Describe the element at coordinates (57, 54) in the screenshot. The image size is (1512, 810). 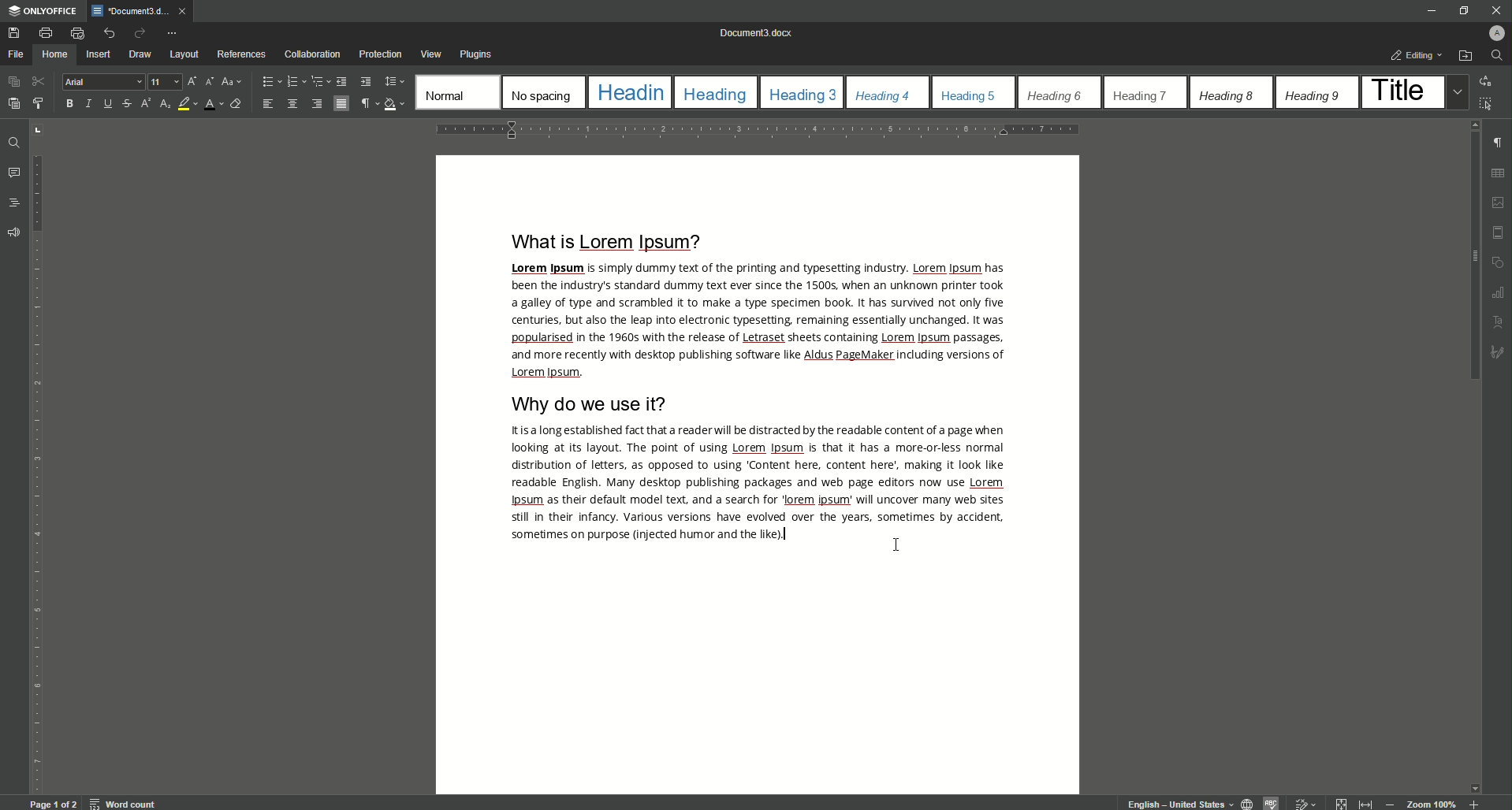
I see `Home` at that location.